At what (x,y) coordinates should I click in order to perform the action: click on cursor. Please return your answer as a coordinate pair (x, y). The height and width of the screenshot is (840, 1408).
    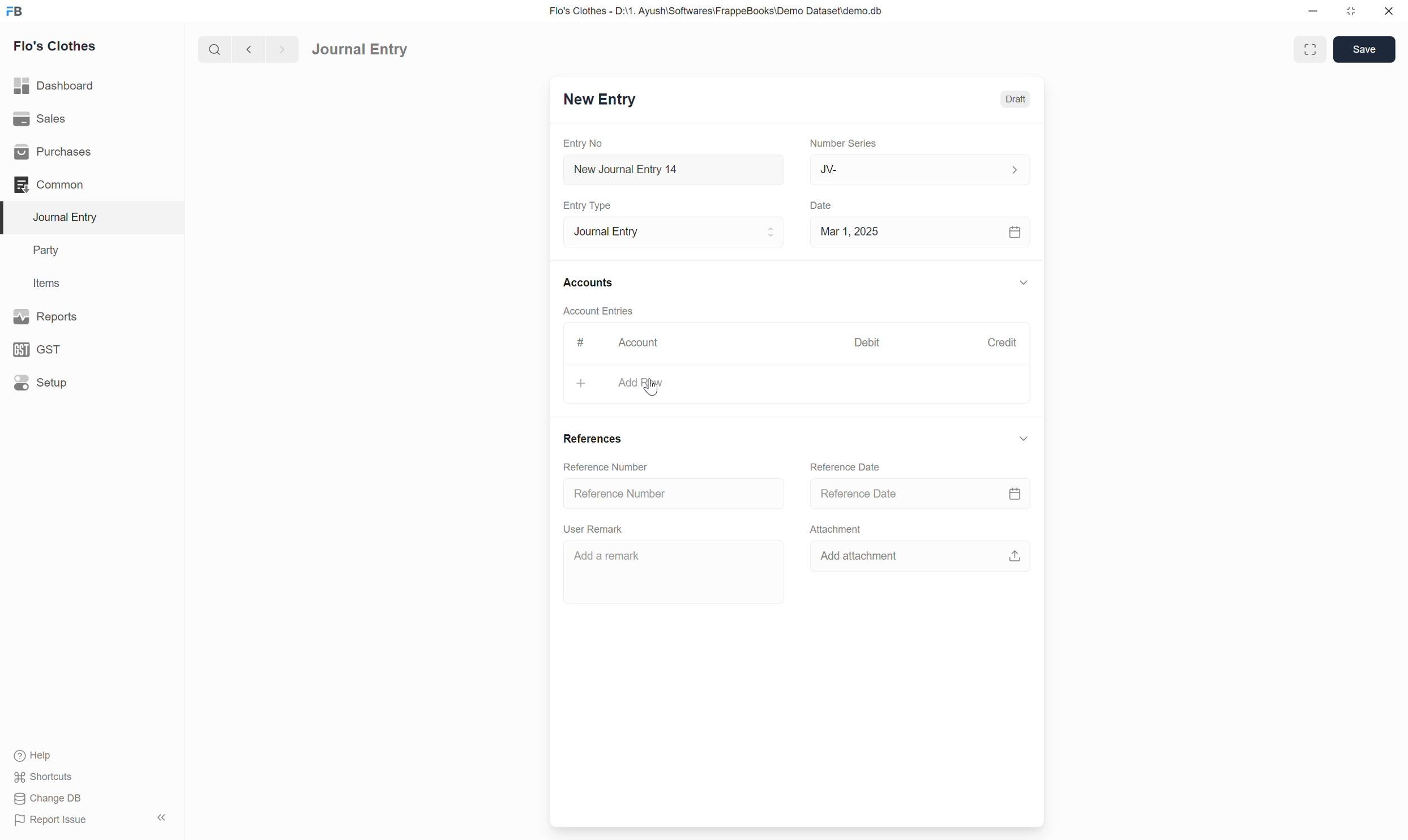
    Looking at the image, I should click on (653, 388).